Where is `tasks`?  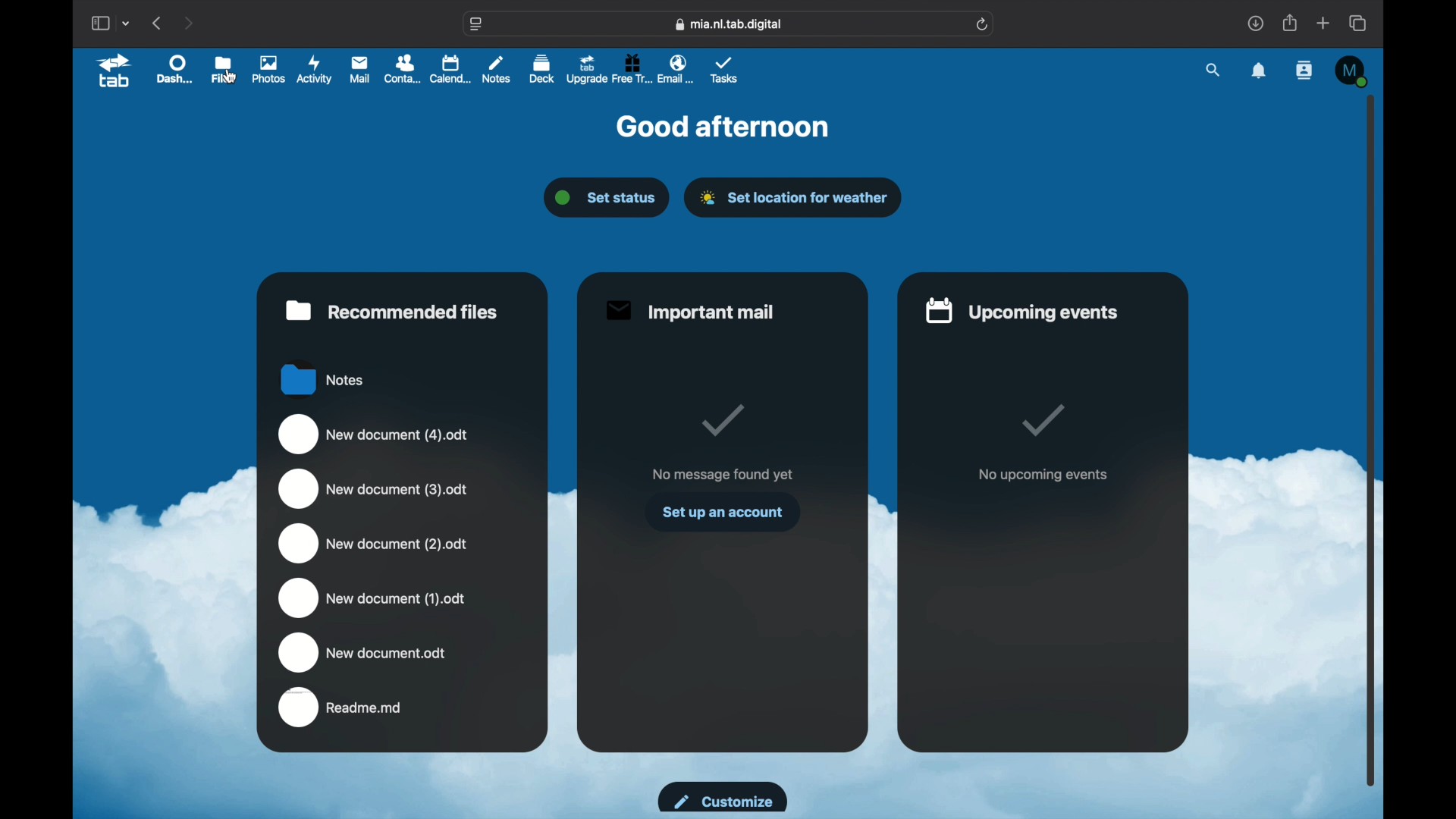
tasks is located at coordinates (724, 71).